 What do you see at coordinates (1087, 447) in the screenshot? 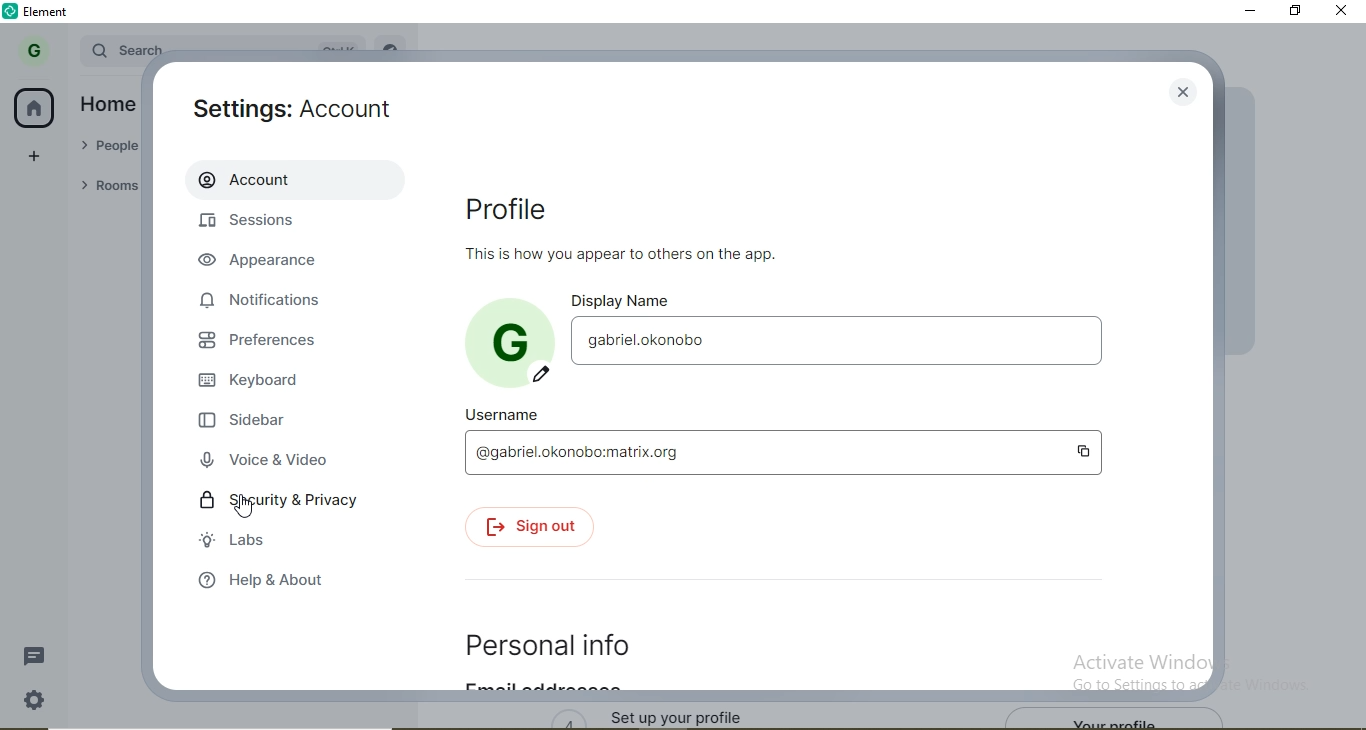
I see `copy` at bounding box center [1087, 447].